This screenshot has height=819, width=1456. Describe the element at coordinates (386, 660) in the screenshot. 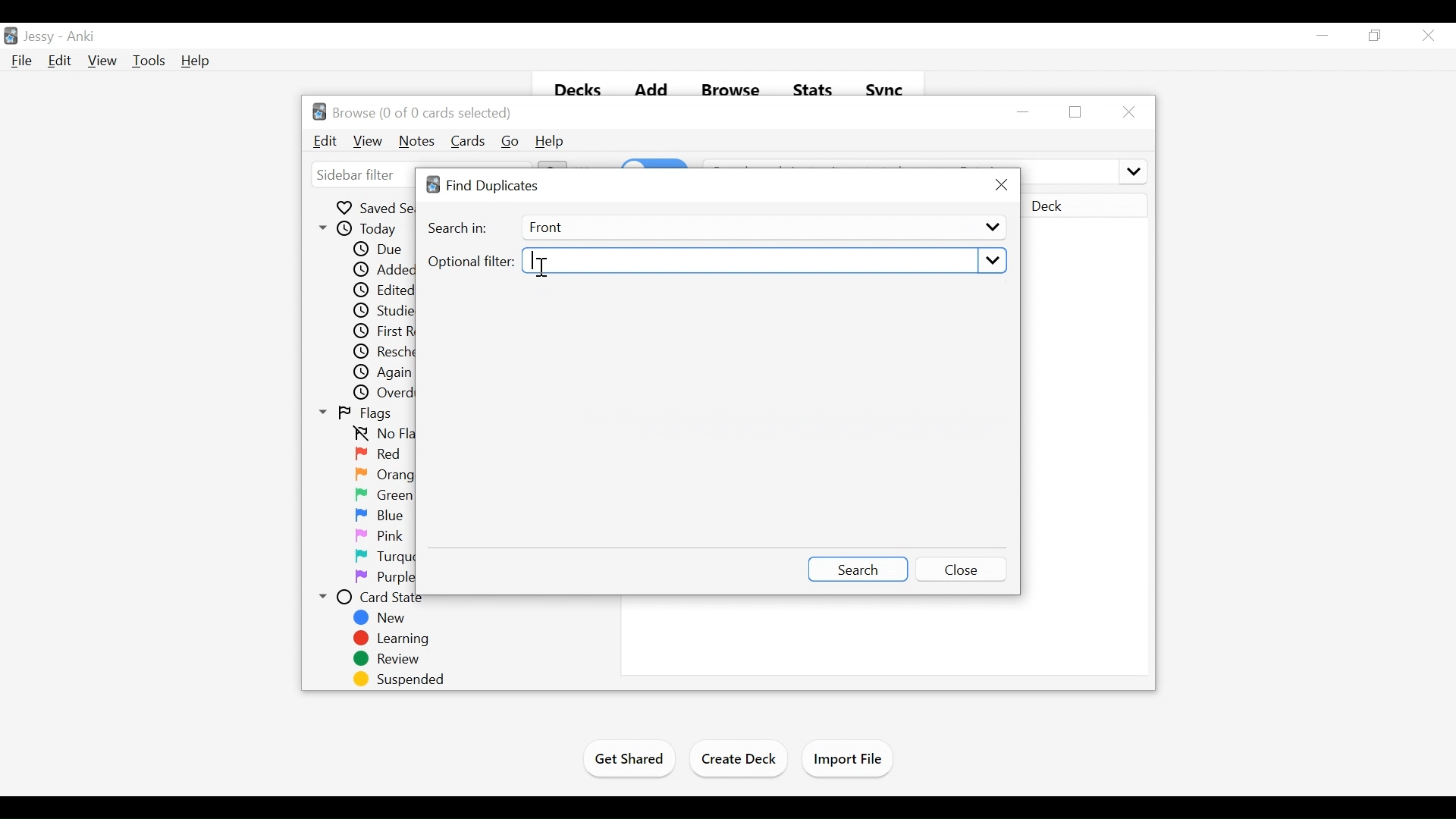

I see `Review` at that location.